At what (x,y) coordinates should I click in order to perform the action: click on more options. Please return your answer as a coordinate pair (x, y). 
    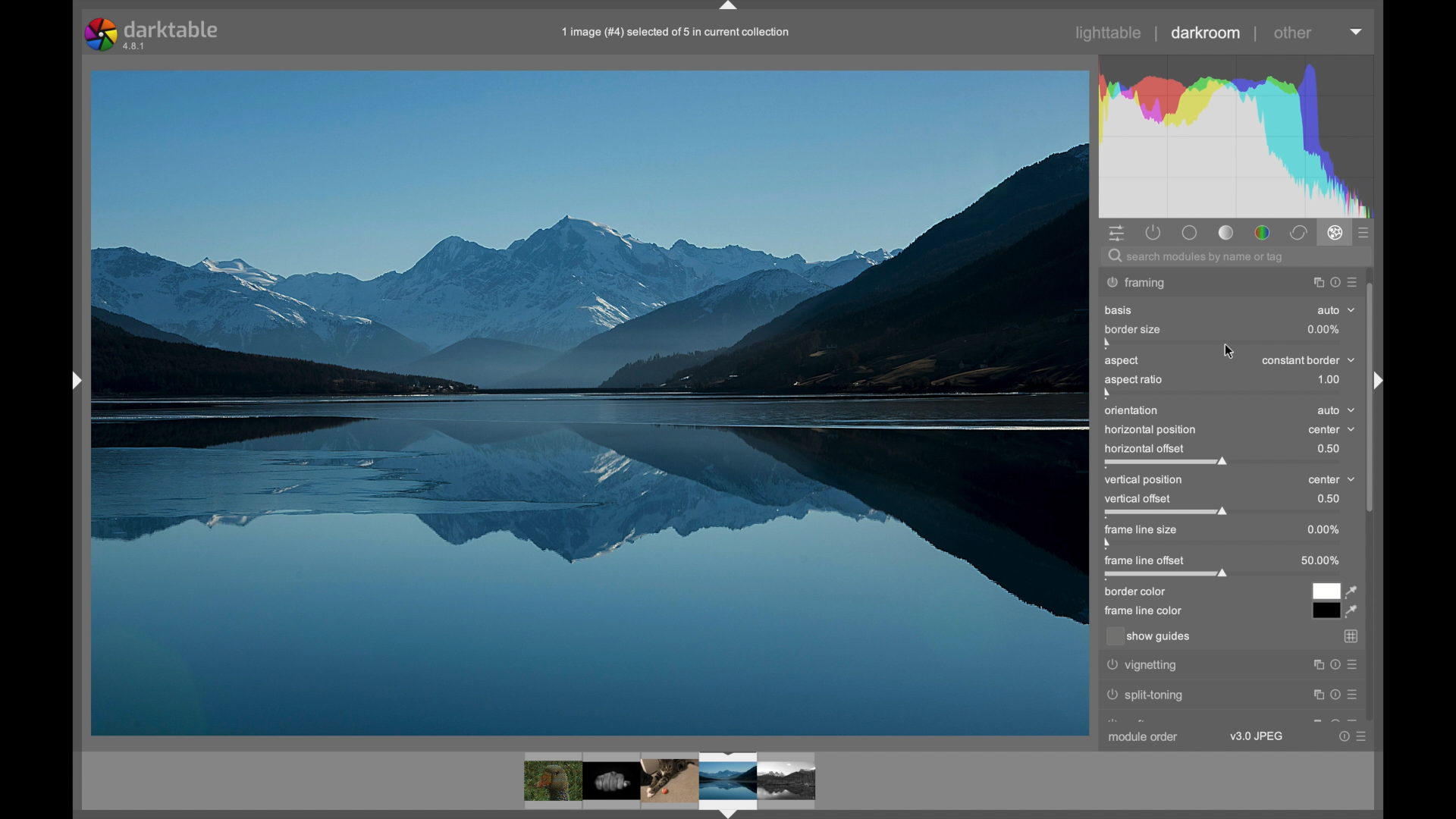
    Looking at the image, I should click on (1336, 664).